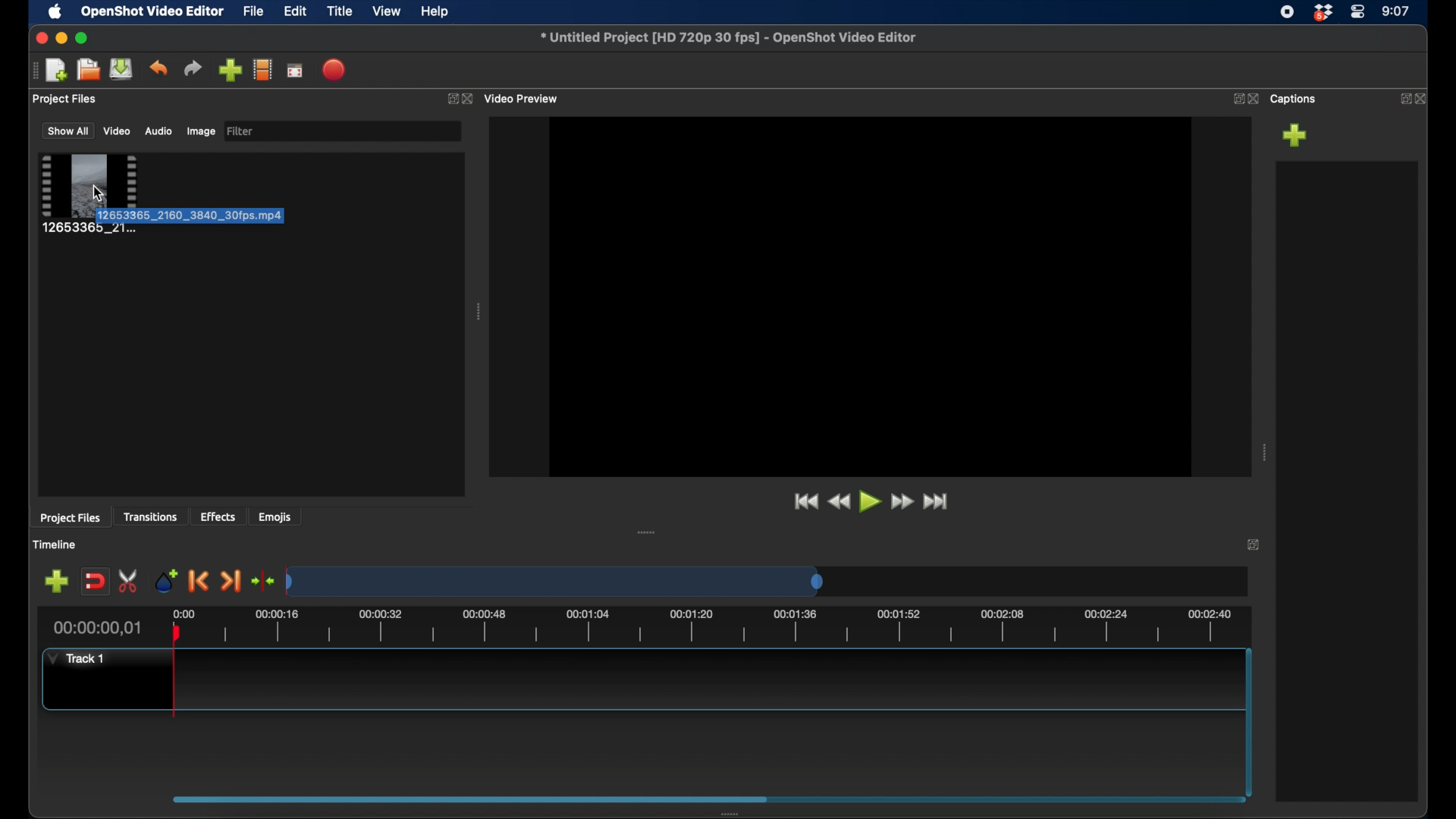 This screenshot has width=1456, height=819. Describe the element at coordinates (727, 37) in the screenshot. I see `filename` at that location.